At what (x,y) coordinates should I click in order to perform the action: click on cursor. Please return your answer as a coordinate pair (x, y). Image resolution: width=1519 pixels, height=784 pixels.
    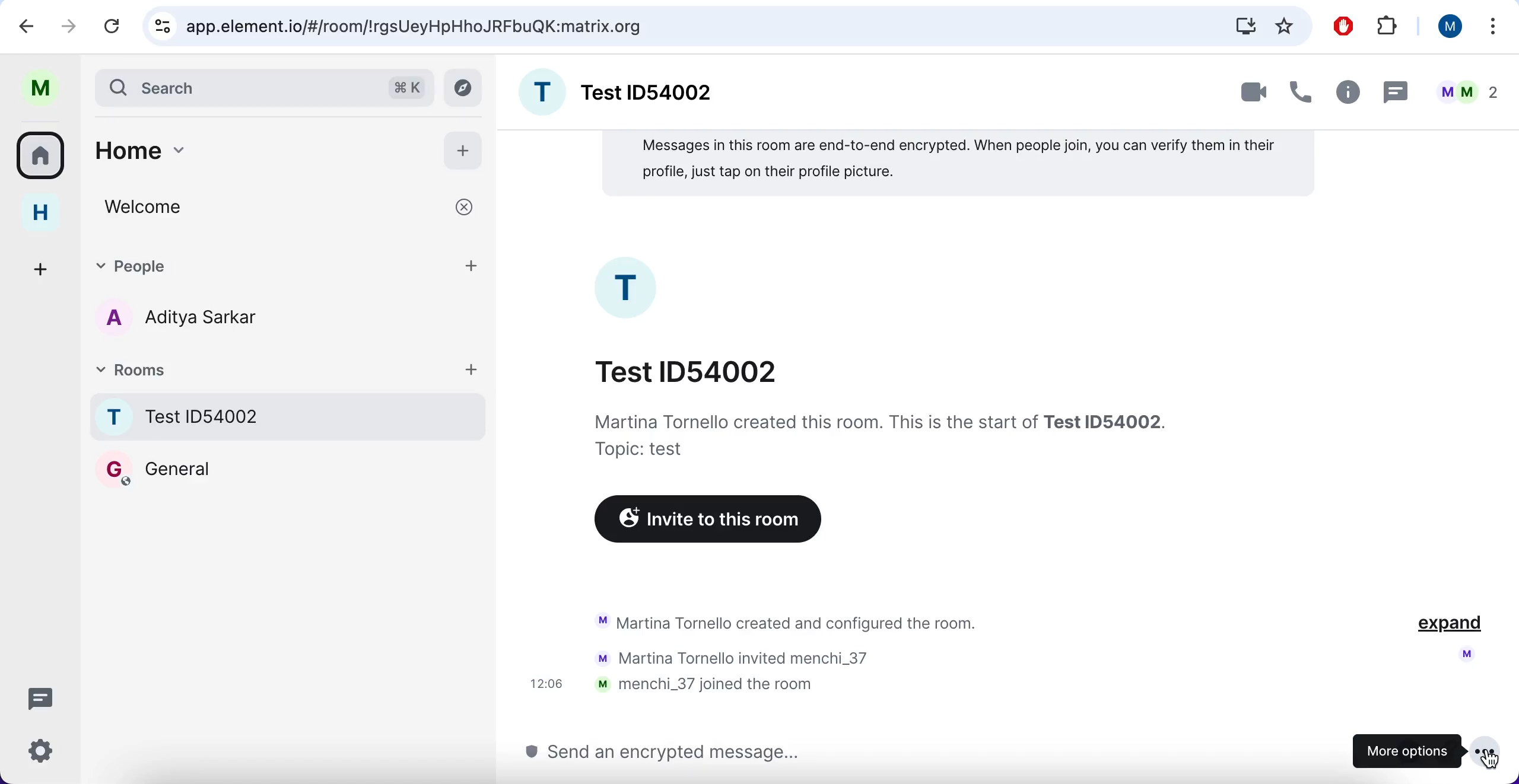
    Looking at the image, I should click on (1492, 763).